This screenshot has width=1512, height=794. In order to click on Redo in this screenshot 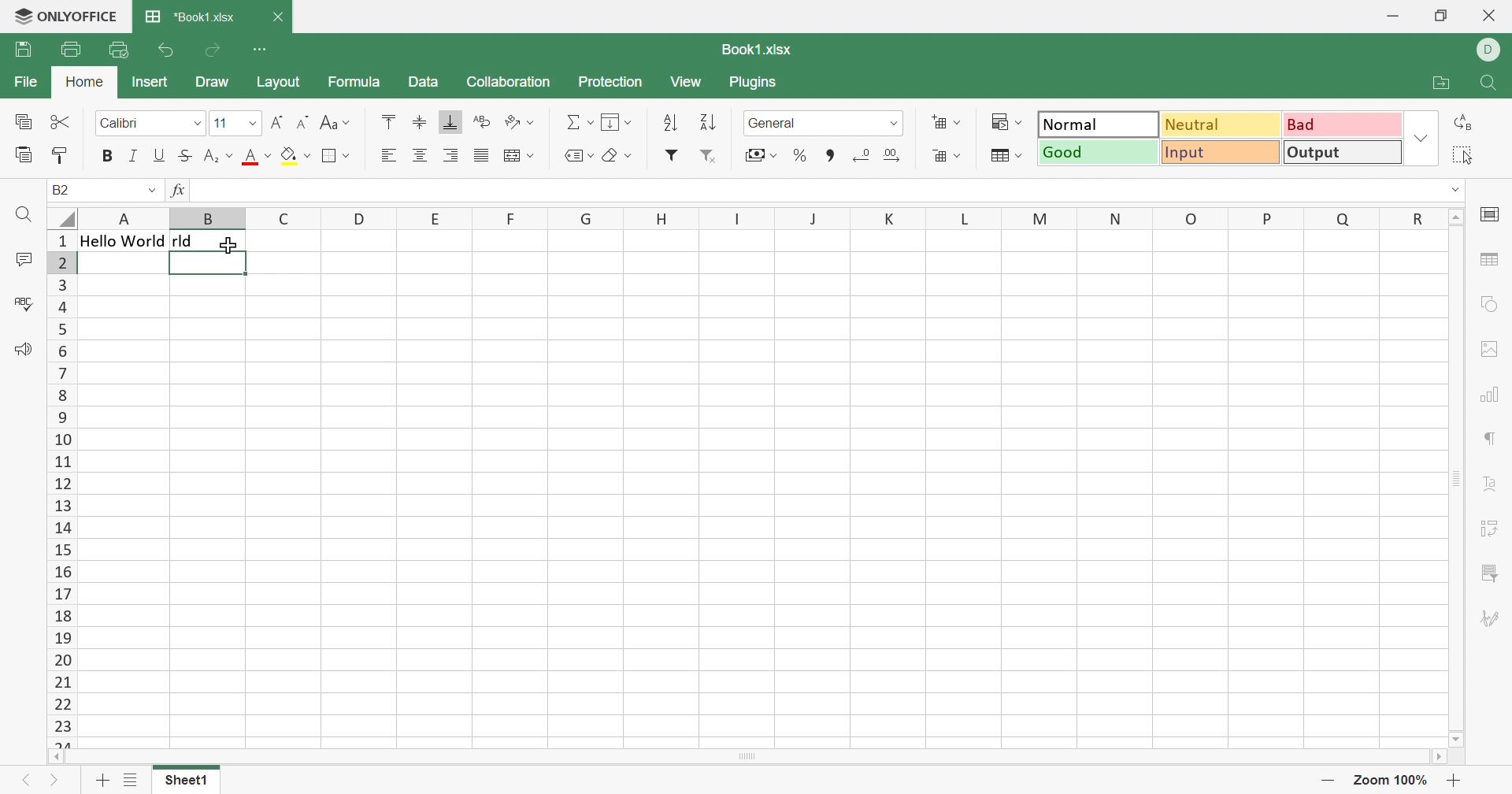, I will do `click(213, 49)`.